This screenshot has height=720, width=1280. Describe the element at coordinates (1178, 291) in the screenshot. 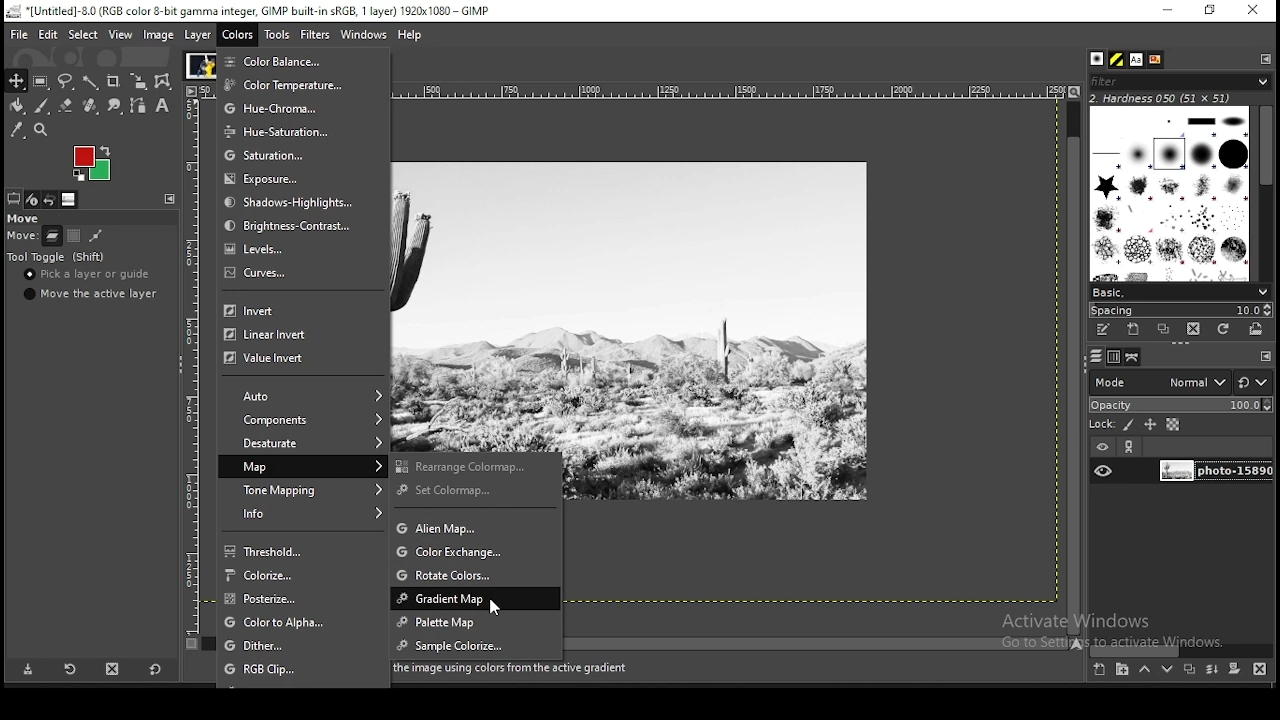

I see `select brush preset` at that location.